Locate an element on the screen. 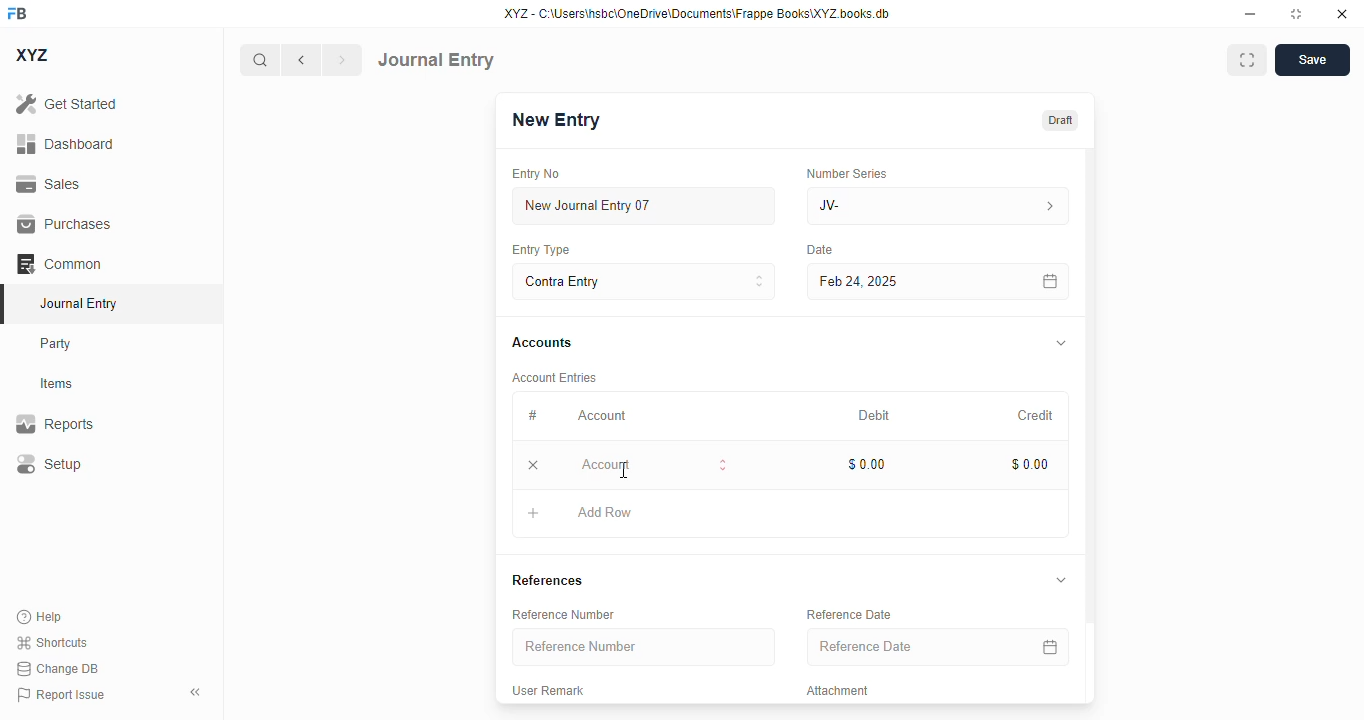 The height and width of the screenshot is (720, 1364). party is located at coordinates (58, 344).